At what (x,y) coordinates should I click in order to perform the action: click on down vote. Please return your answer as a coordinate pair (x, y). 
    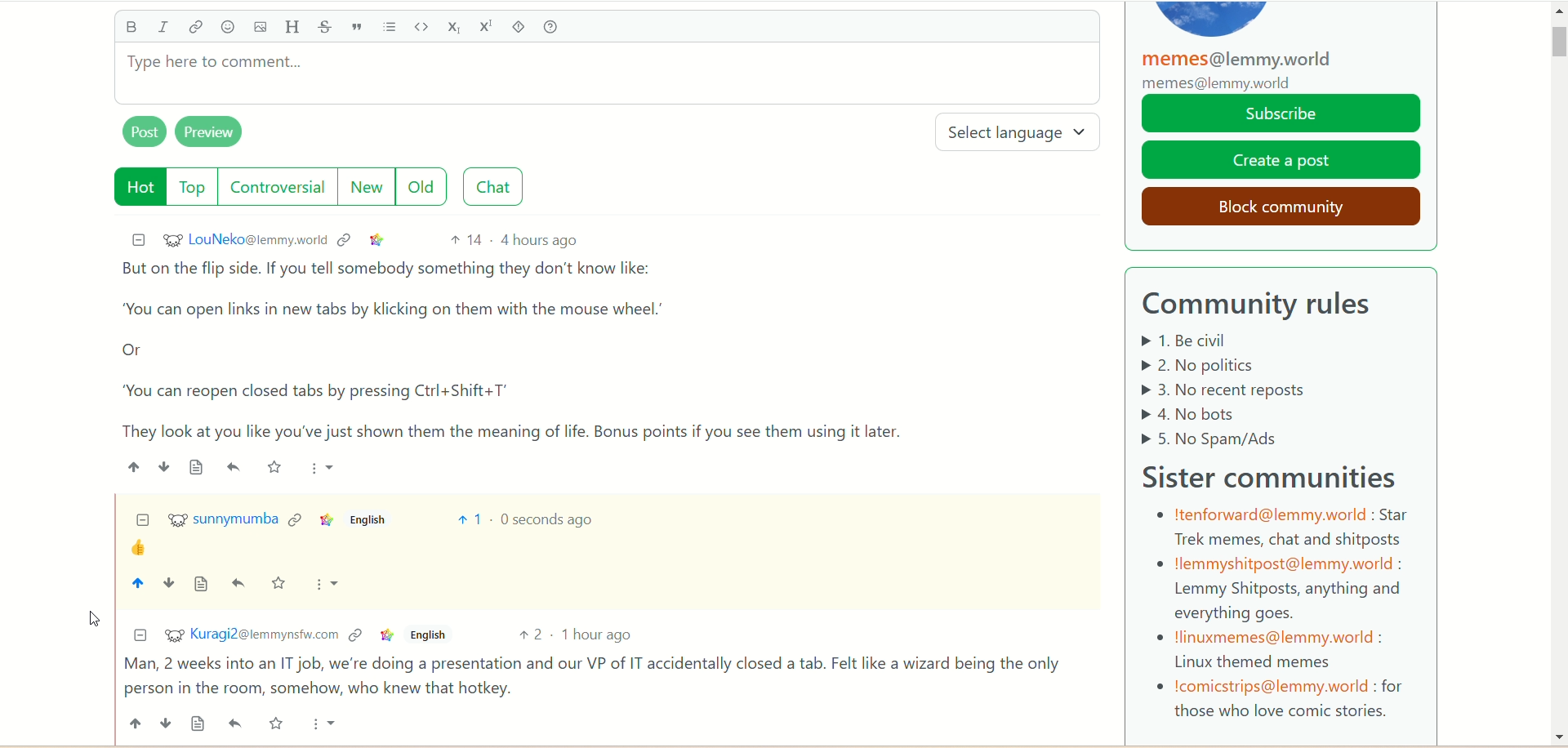
    Looking at the image, I should click on (166, 721).